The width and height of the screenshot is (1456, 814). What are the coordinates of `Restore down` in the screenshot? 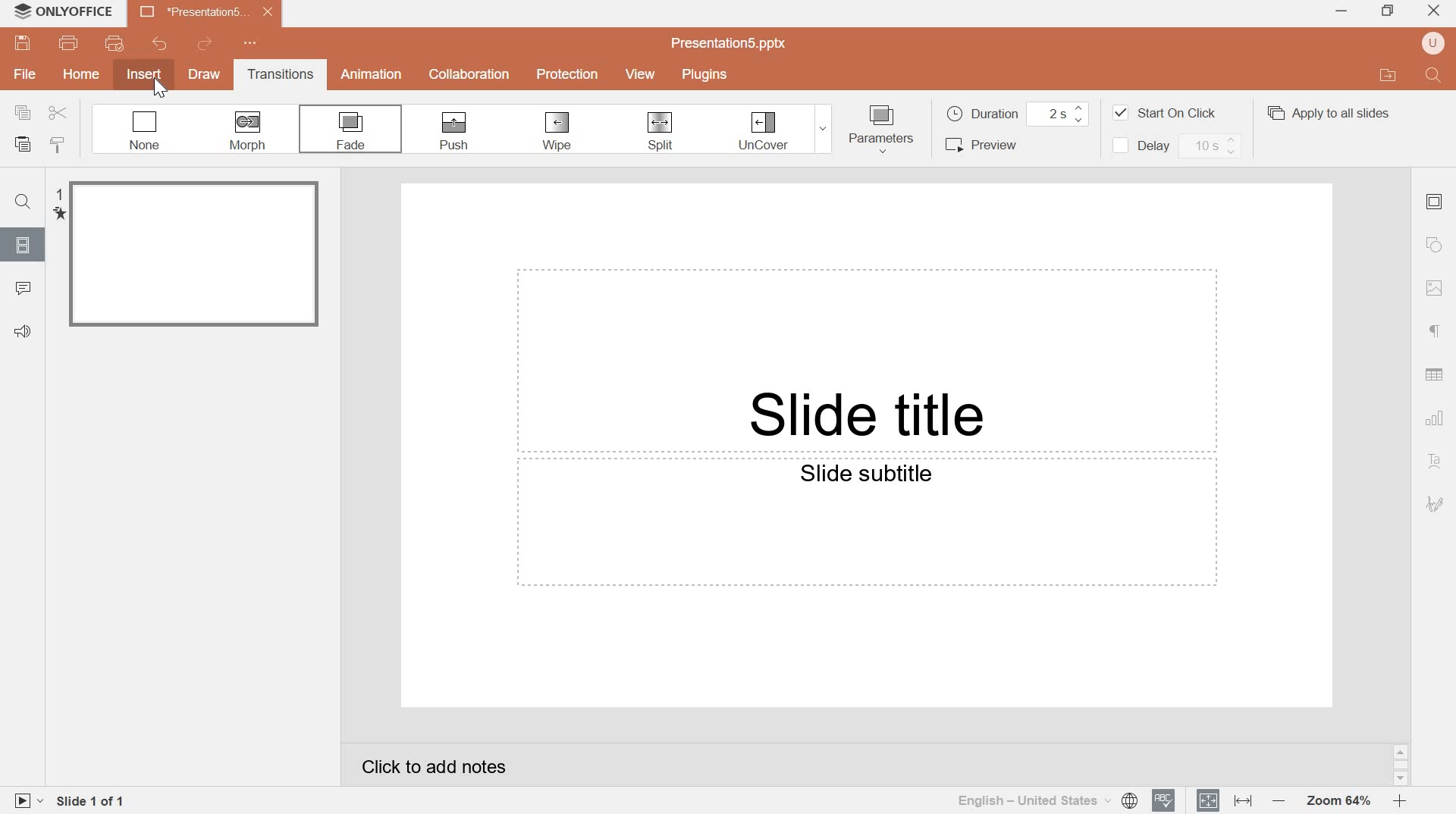 It's located at (1390, 11).